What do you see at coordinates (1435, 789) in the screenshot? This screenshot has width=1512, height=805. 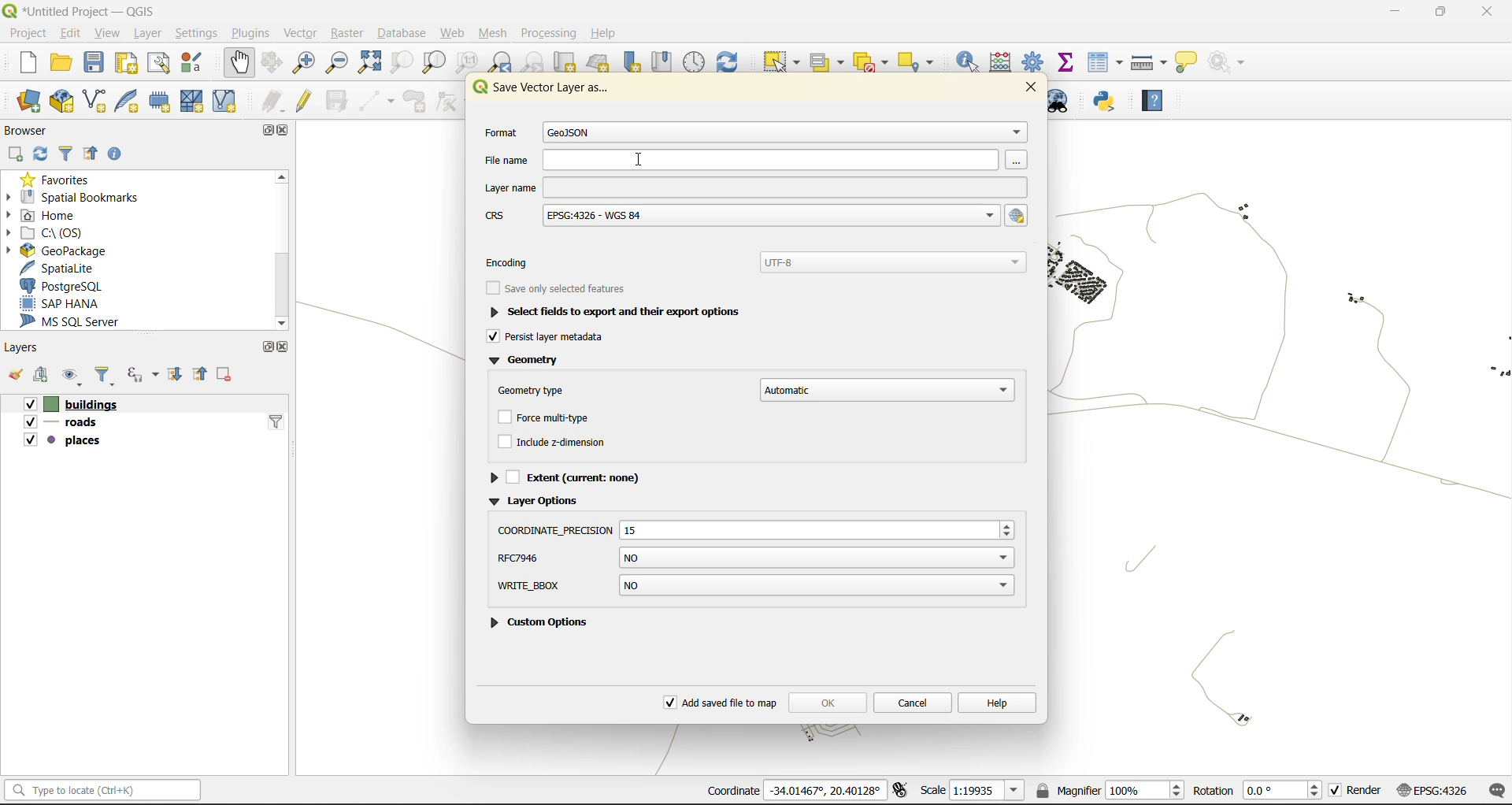 I see `crs` at bounding box center [1435, 789].